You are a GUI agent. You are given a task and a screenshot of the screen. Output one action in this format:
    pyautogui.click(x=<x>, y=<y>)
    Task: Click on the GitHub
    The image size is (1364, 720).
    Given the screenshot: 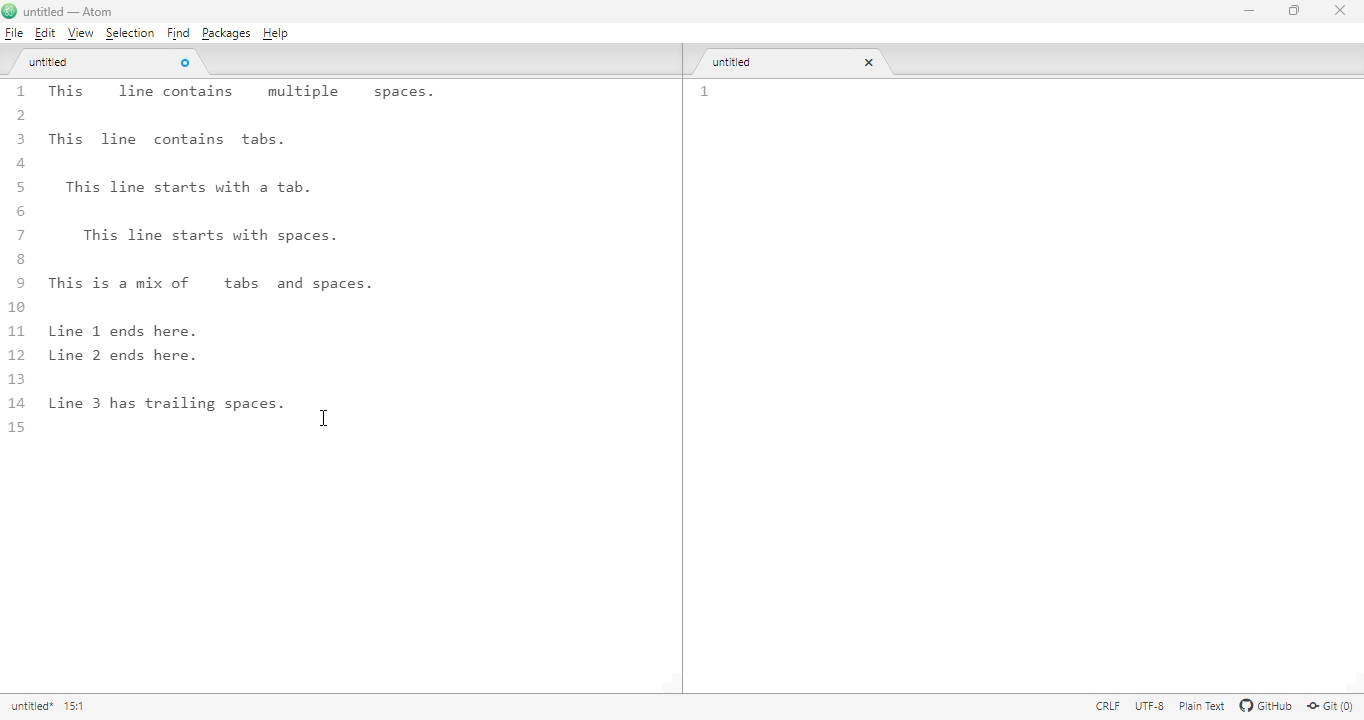 What is the action you would take?
    pyautogui.click(x=1267, y=706)
    